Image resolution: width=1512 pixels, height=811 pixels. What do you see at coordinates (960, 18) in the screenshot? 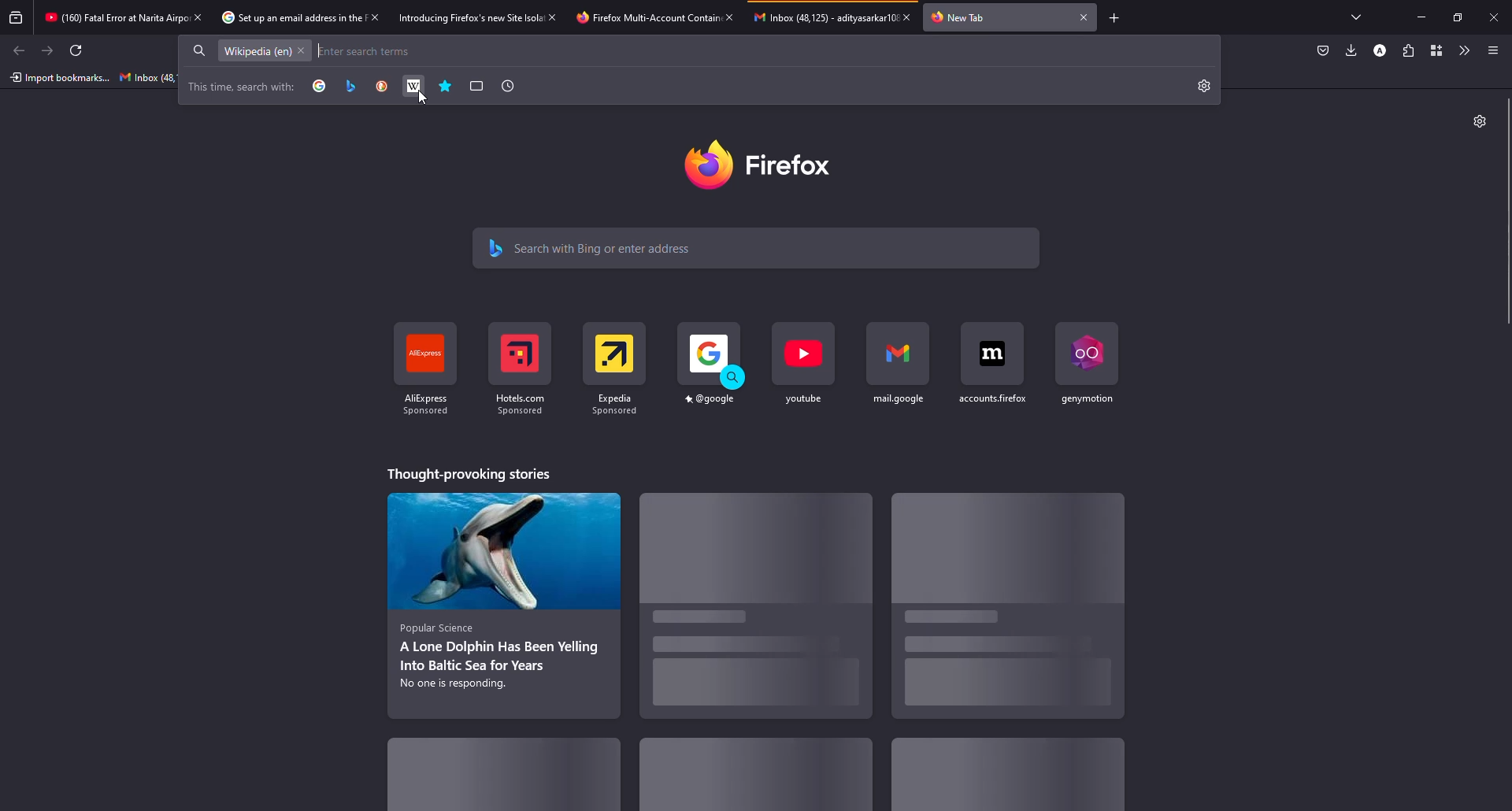
I see `tab` at bounding box center [960, 18].